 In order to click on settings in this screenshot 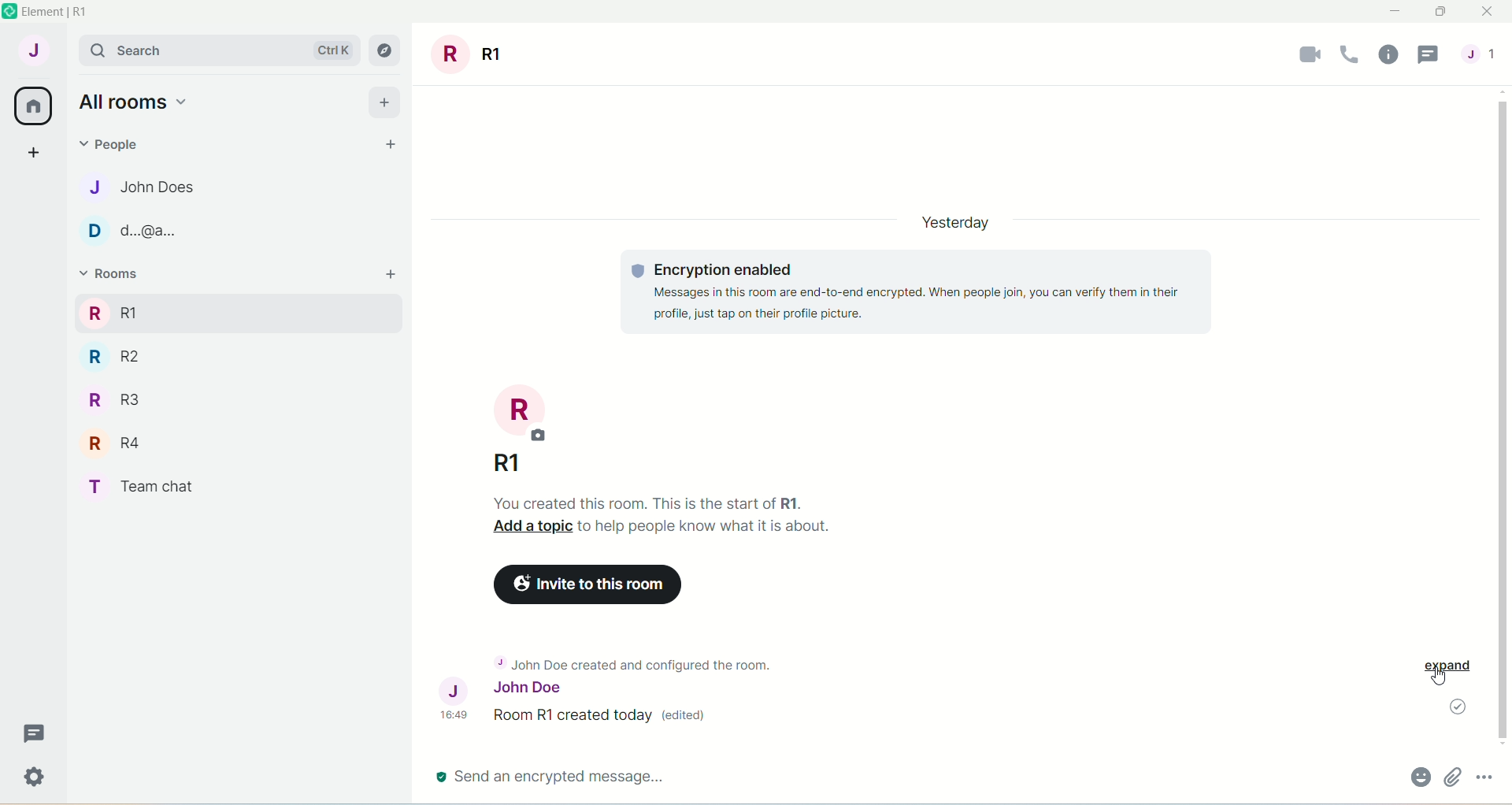, I will do `click(35, 777)`.